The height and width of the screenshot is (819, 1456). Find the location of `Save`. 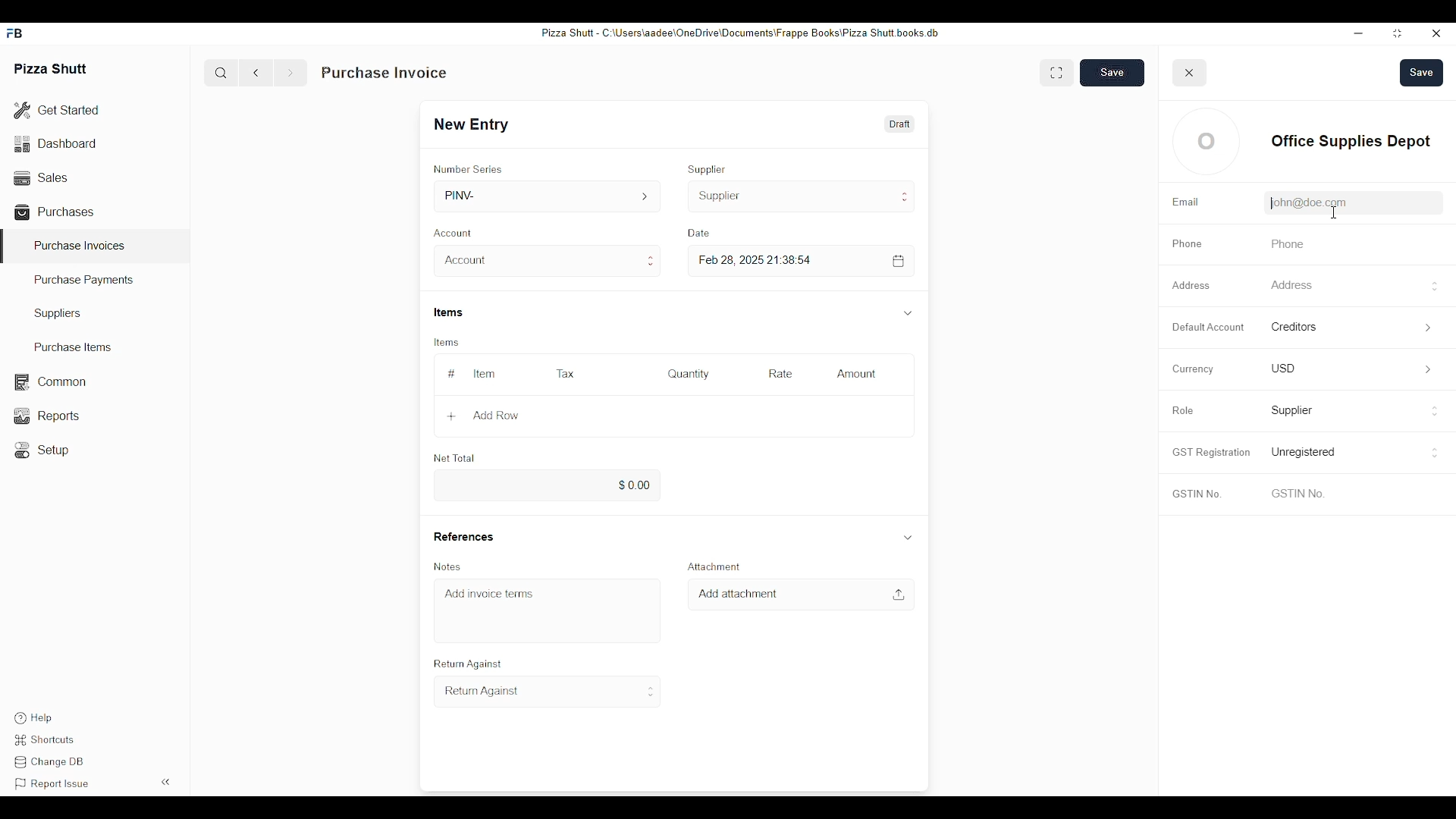

Save is located at coordinates (1112, 72).